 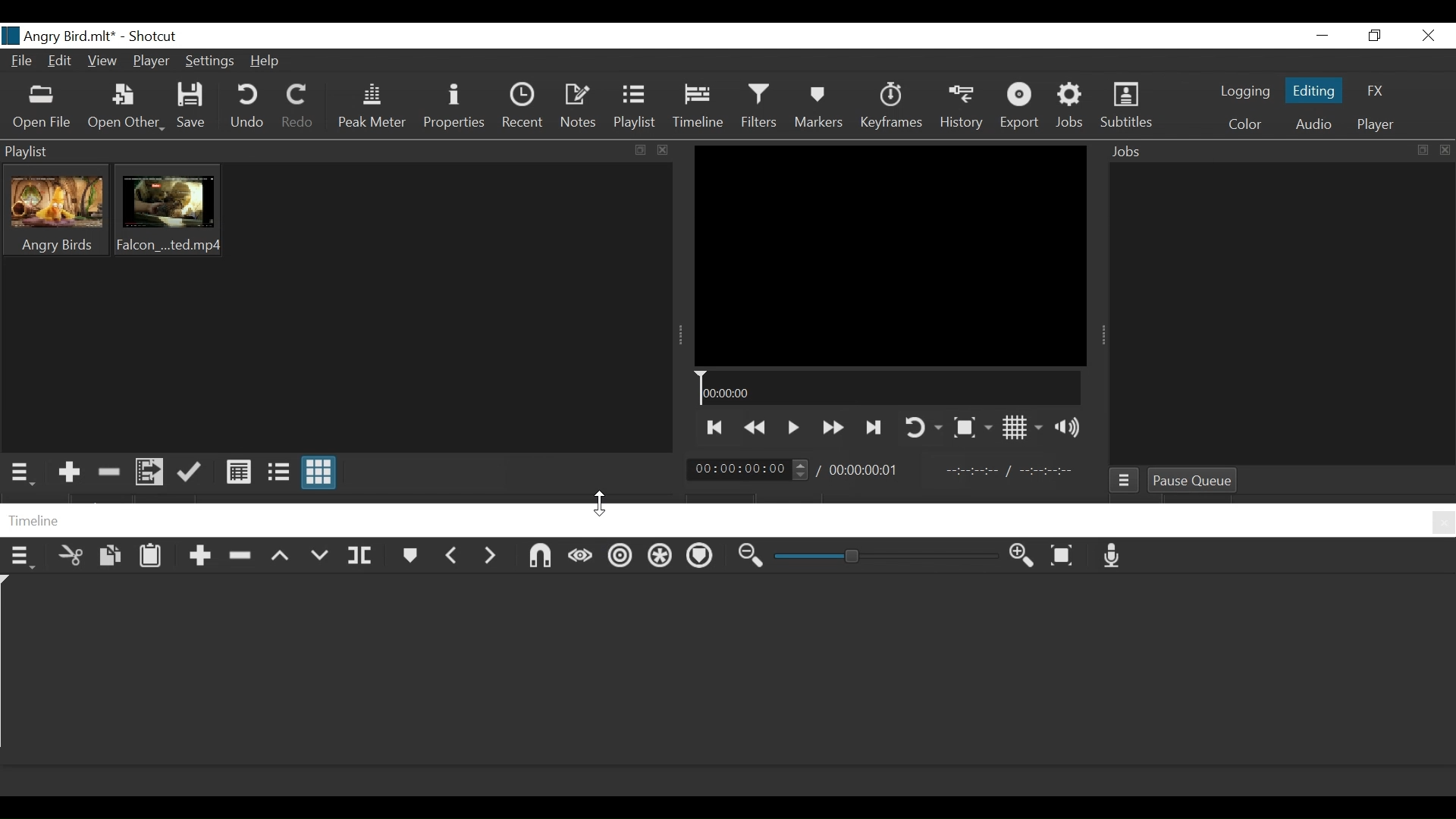 I want to click on Add the Source to the playlist, so click(x=69, y=472).